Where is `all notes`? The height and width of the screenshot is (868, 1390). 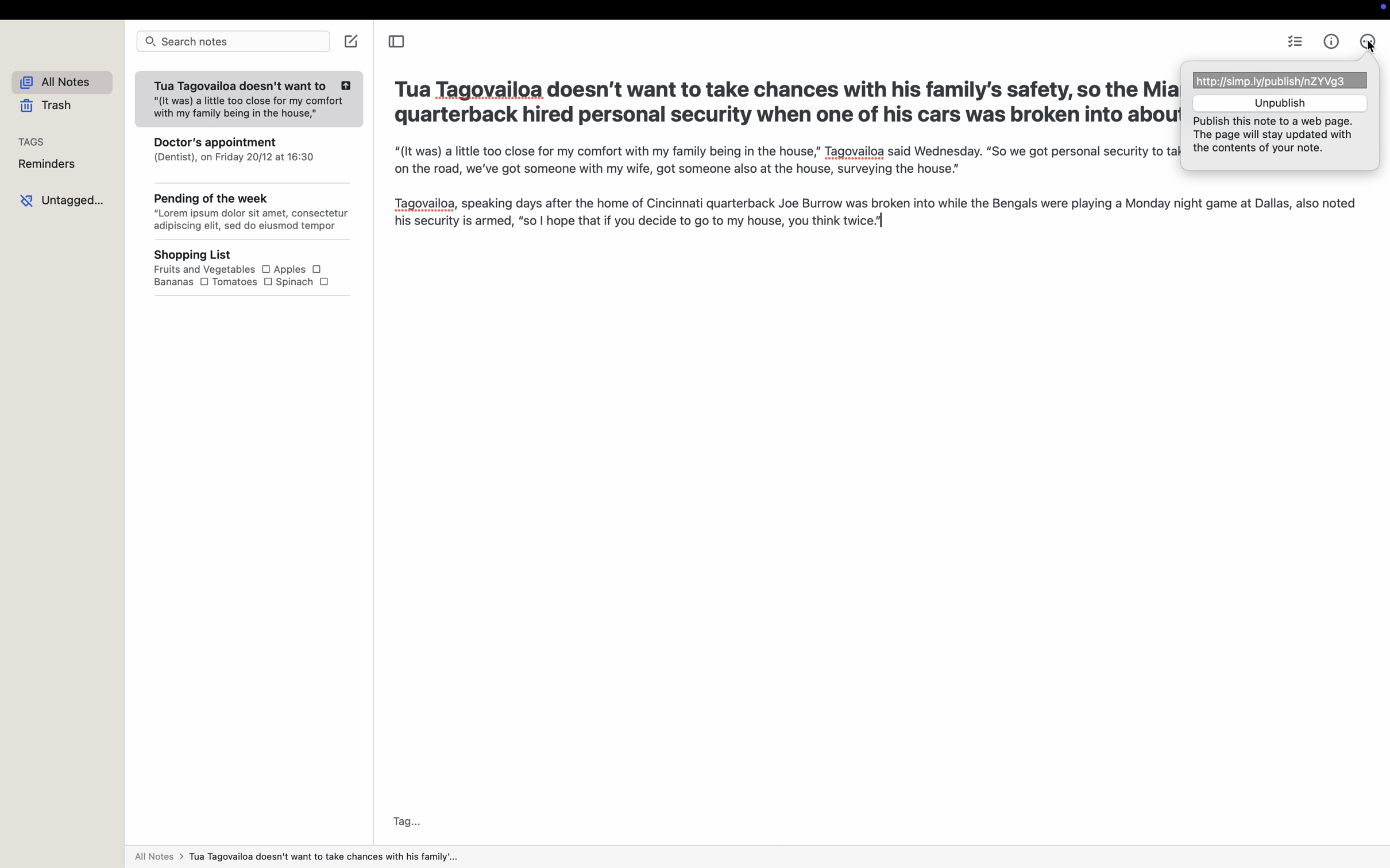
all notes is located at coordinates (67, 83).